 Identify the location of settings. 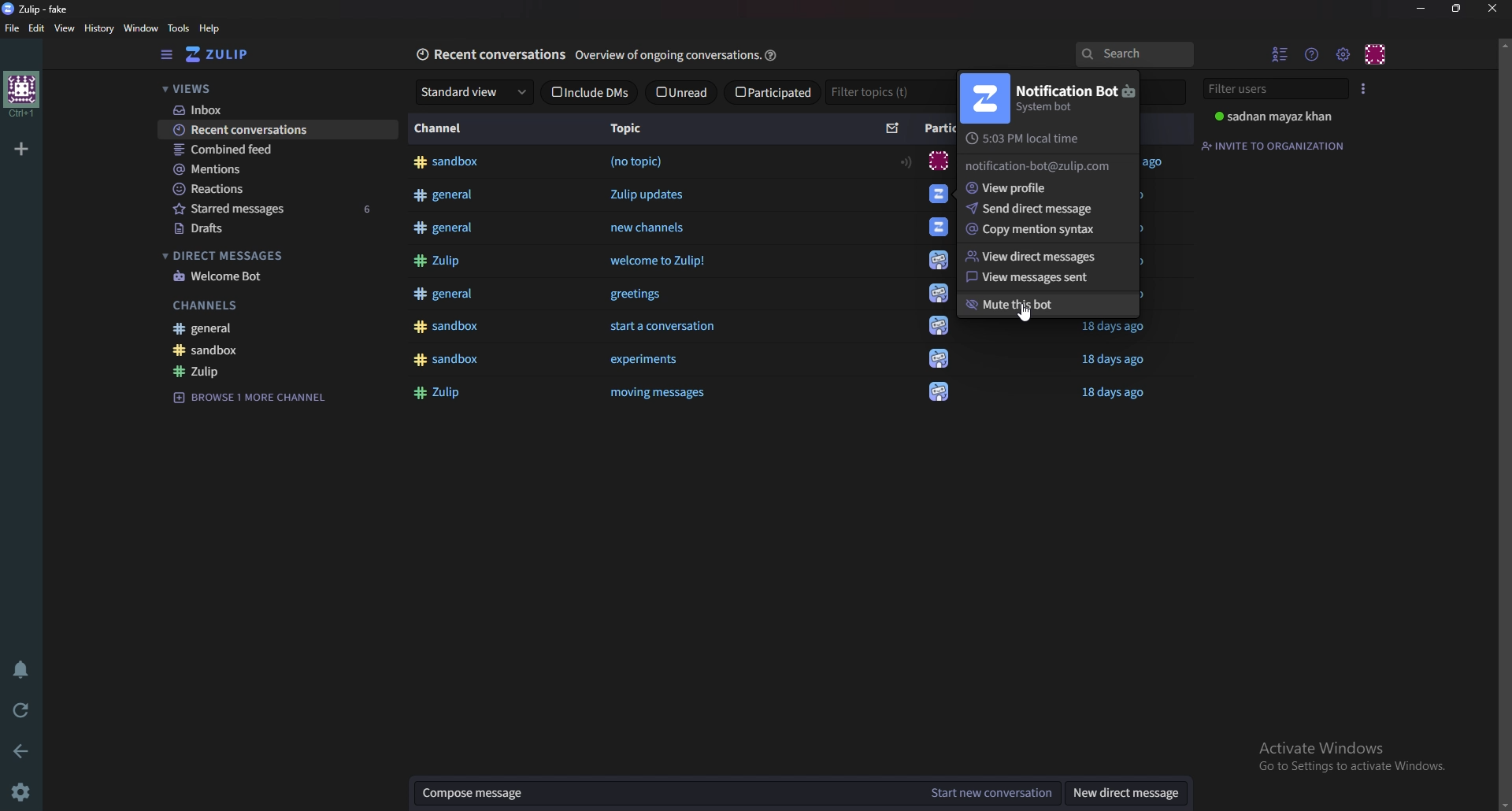
(24, 791).